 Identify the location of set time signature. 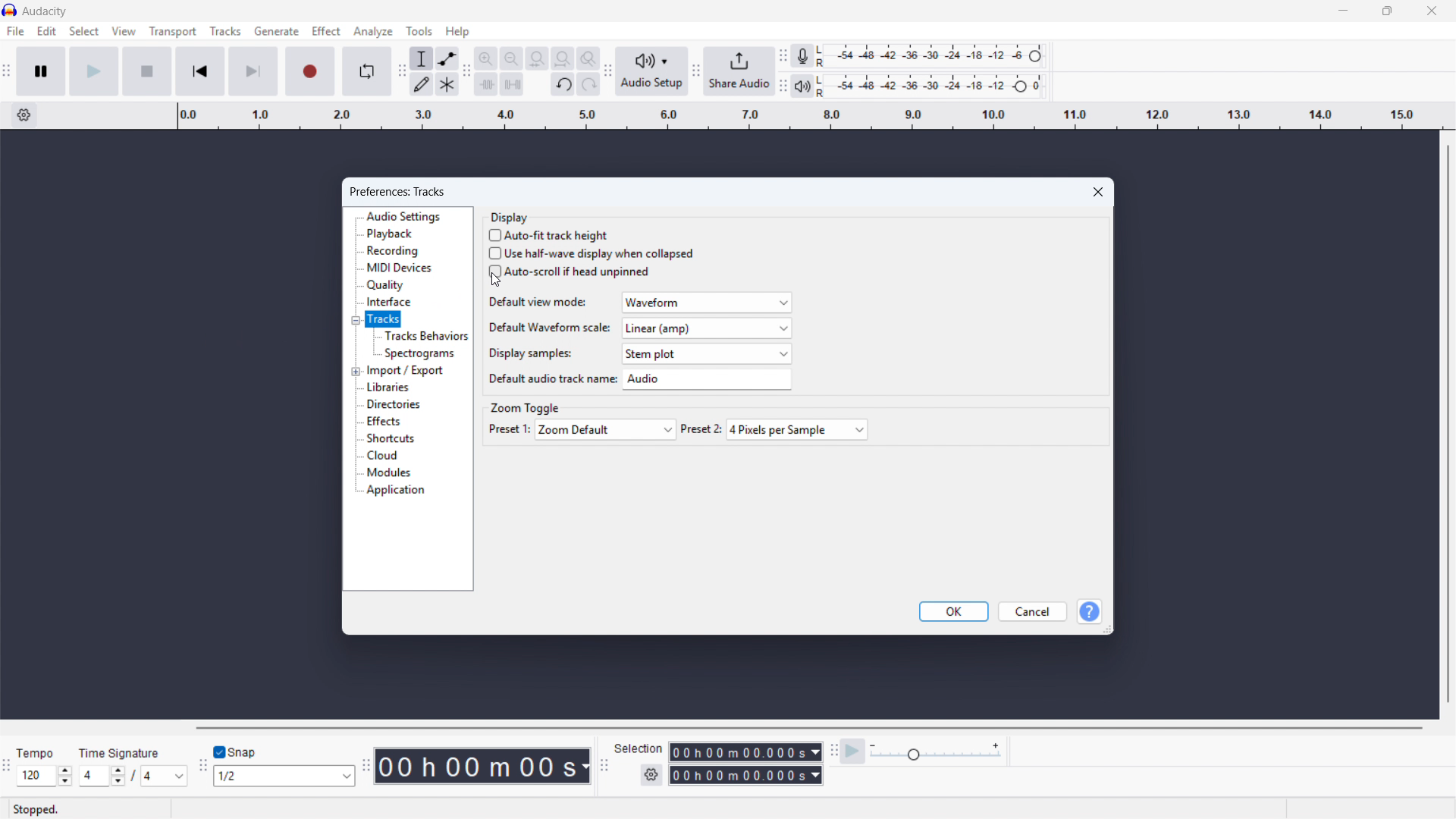
(134, 765).